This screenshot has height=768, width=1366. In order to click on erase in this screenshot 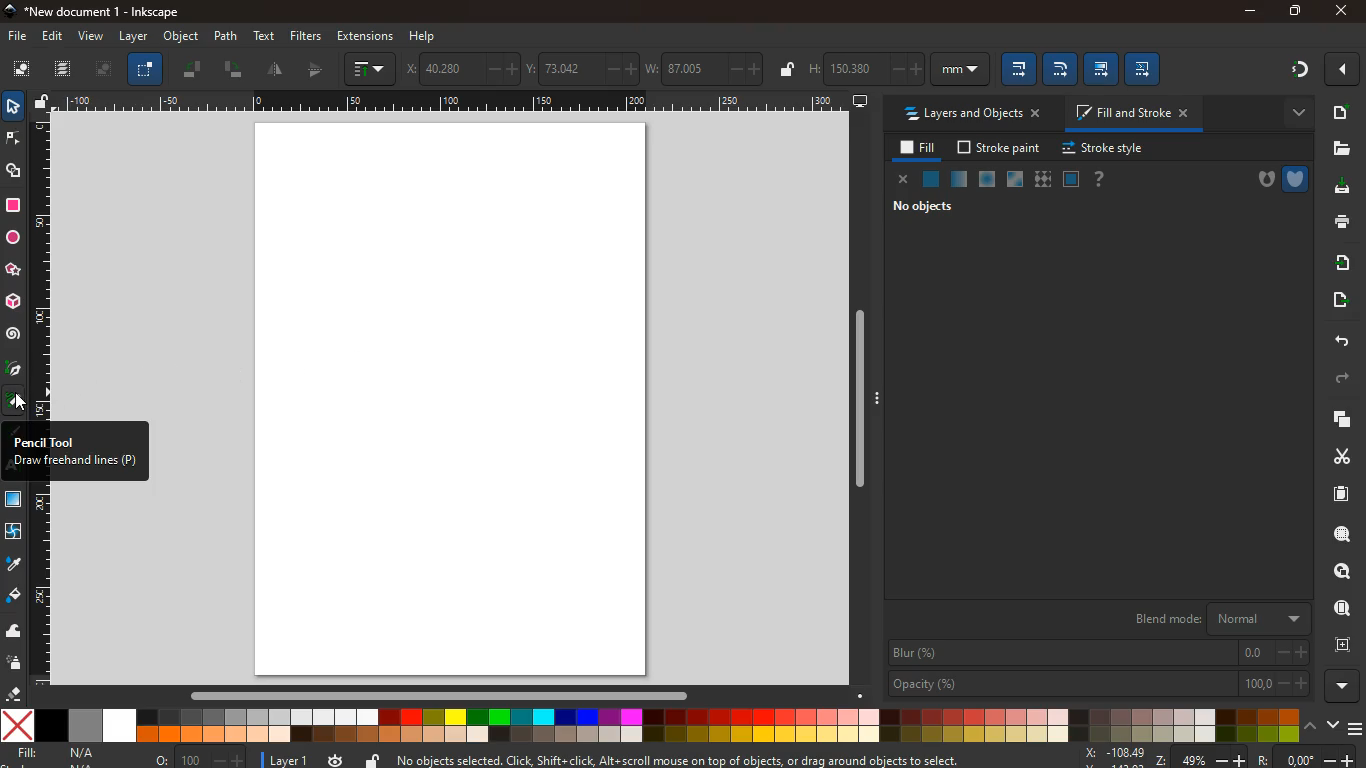, I will do `click(14, 694)`.